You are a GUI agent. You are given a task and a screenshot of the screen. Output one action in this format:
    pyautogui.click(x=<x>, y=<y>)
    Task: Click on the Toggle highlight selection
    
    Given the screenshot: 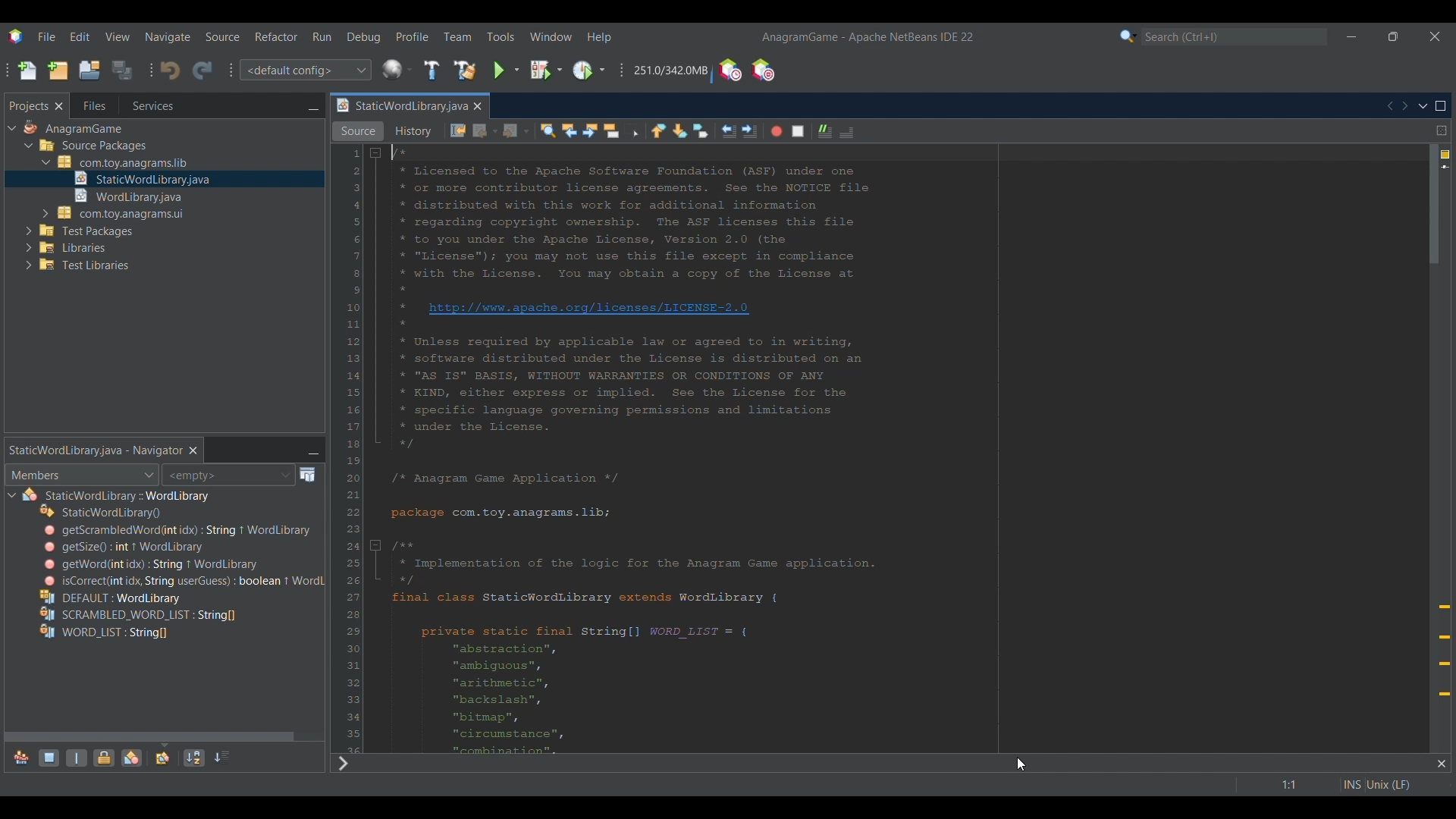 What is the action you would take?
    pyautogui.click(x=612, y=131)
    